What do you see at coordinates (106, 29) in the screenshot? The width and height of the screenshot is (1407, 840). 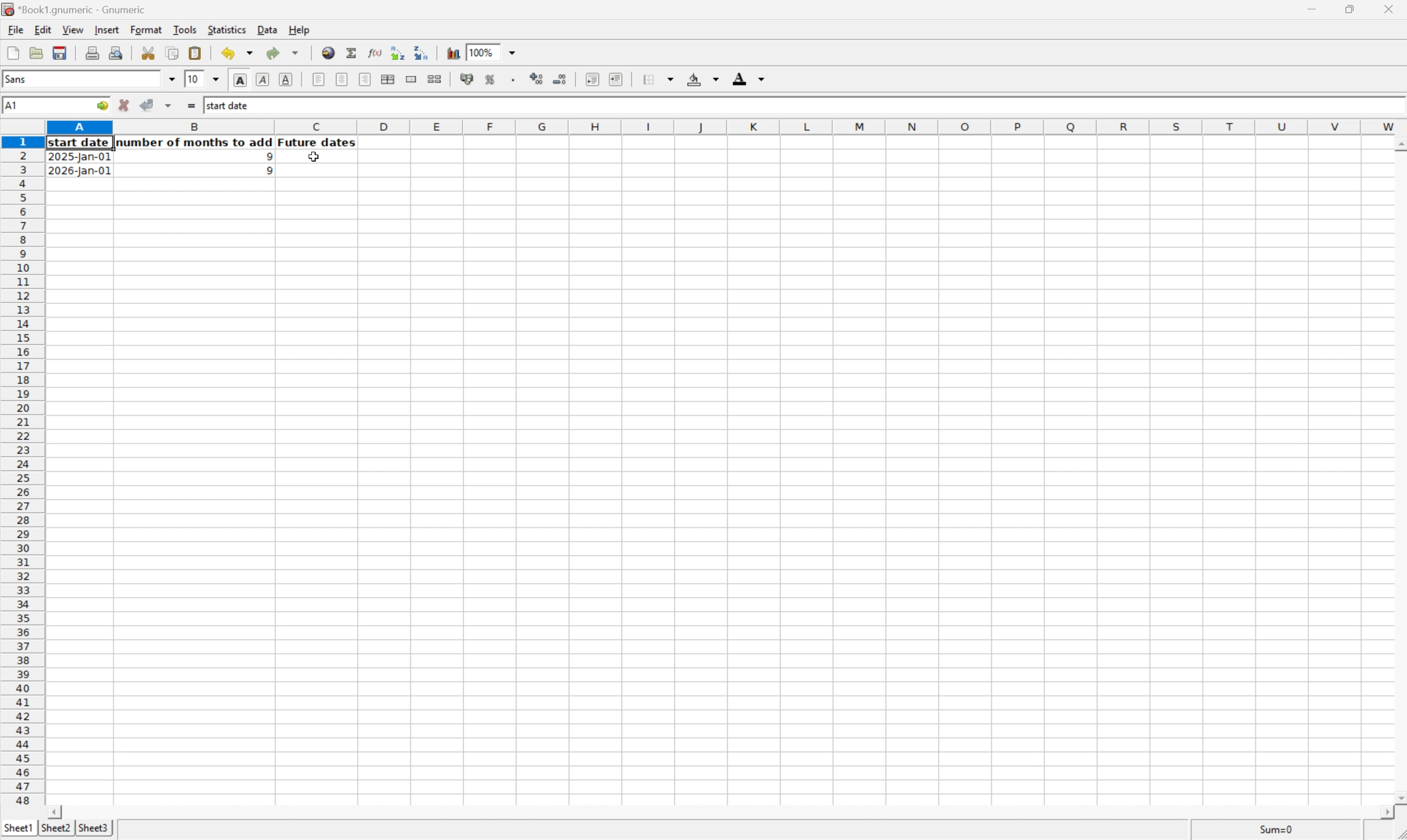 I see `Insert` at bounding box center [106, 29].